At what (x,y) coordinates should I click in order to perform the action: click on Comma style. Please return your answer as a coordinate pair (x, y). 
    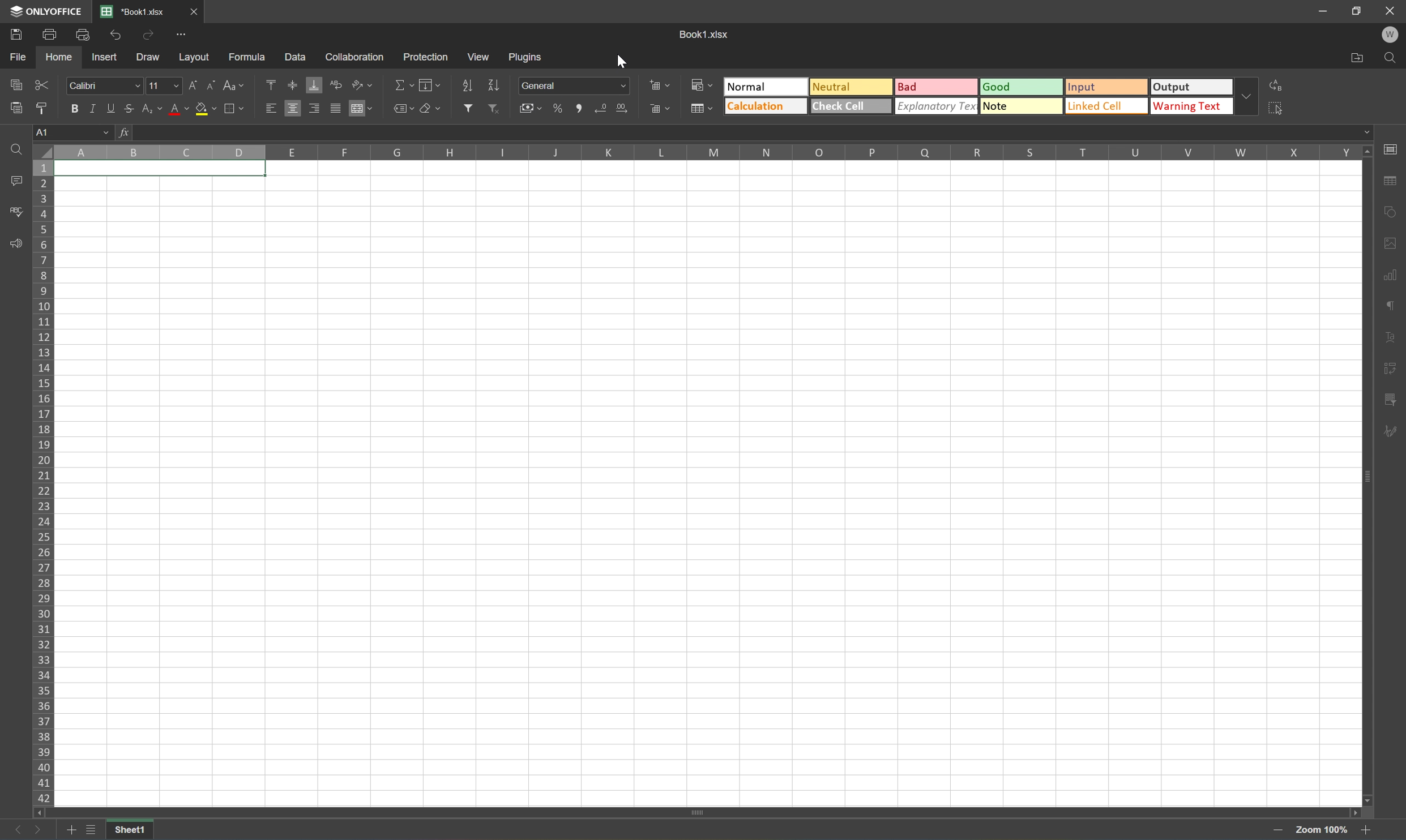
    Looking at the image, I should click on (582, 109).